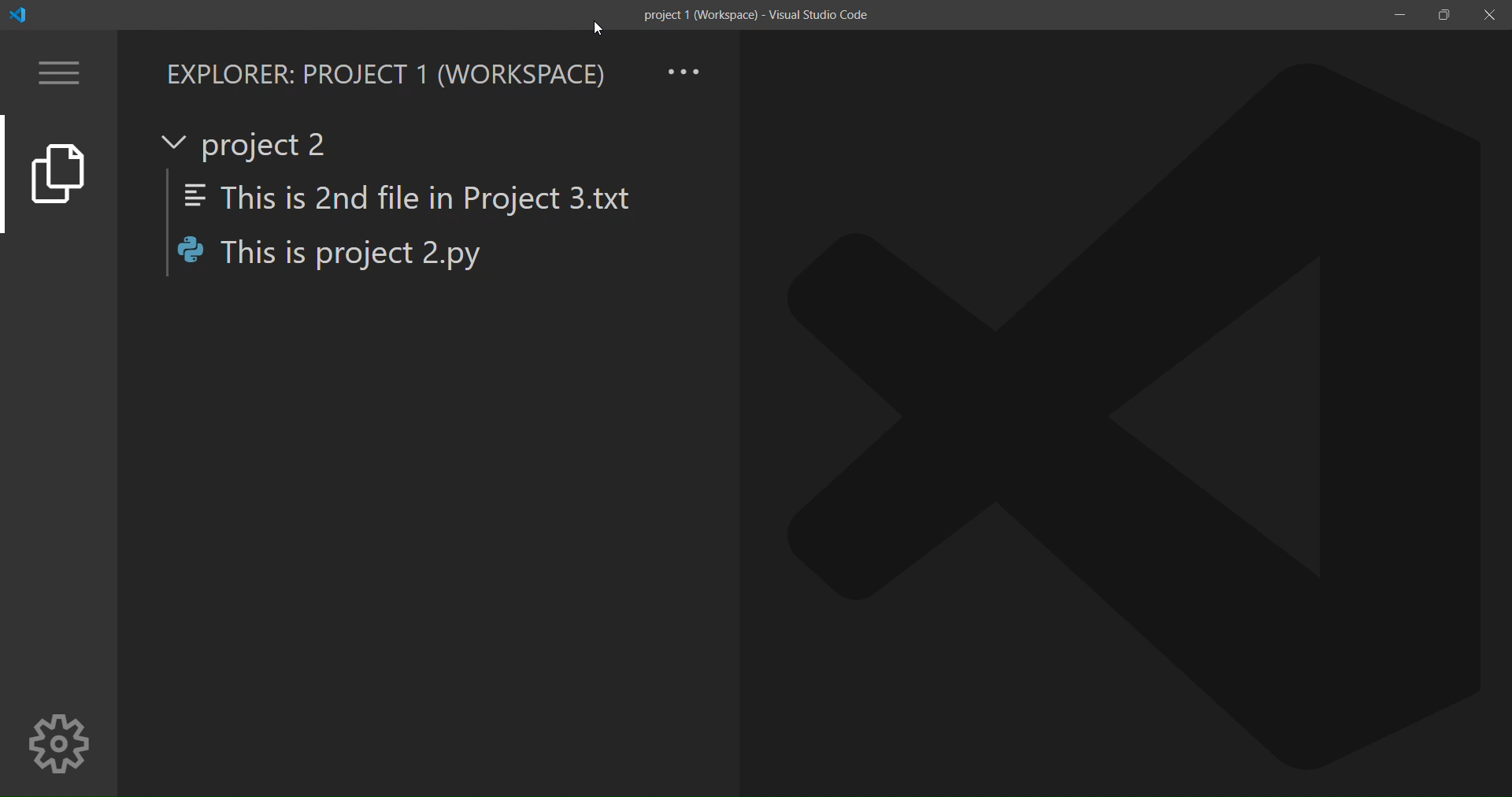  Describe the element at coordinates (384, 72) in the screenshot. I see `explorer workspace` at that location.